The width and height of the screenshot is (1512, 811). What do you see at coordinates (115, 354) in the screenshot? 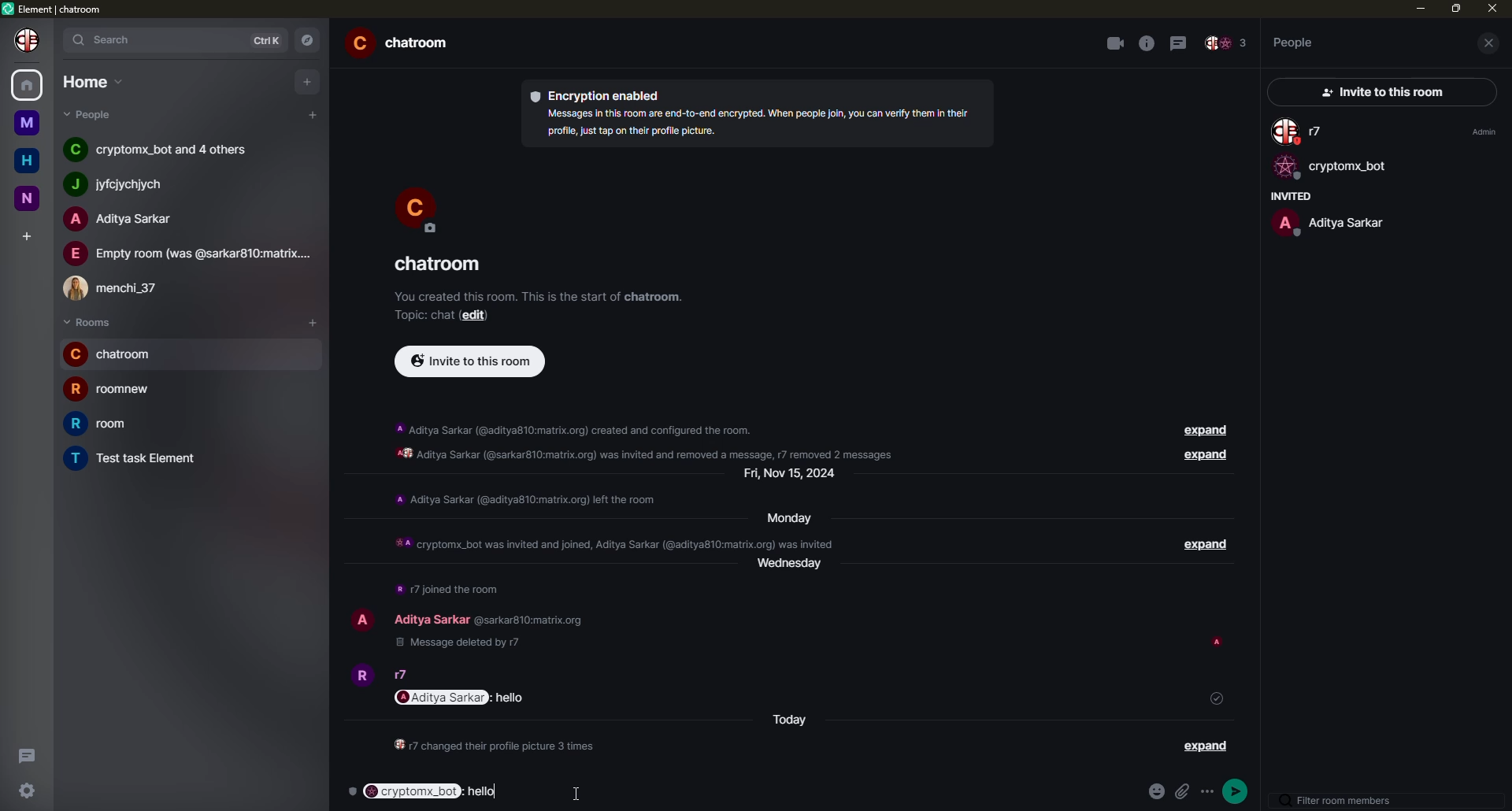
I see `room` at bounding box center [115, 354].